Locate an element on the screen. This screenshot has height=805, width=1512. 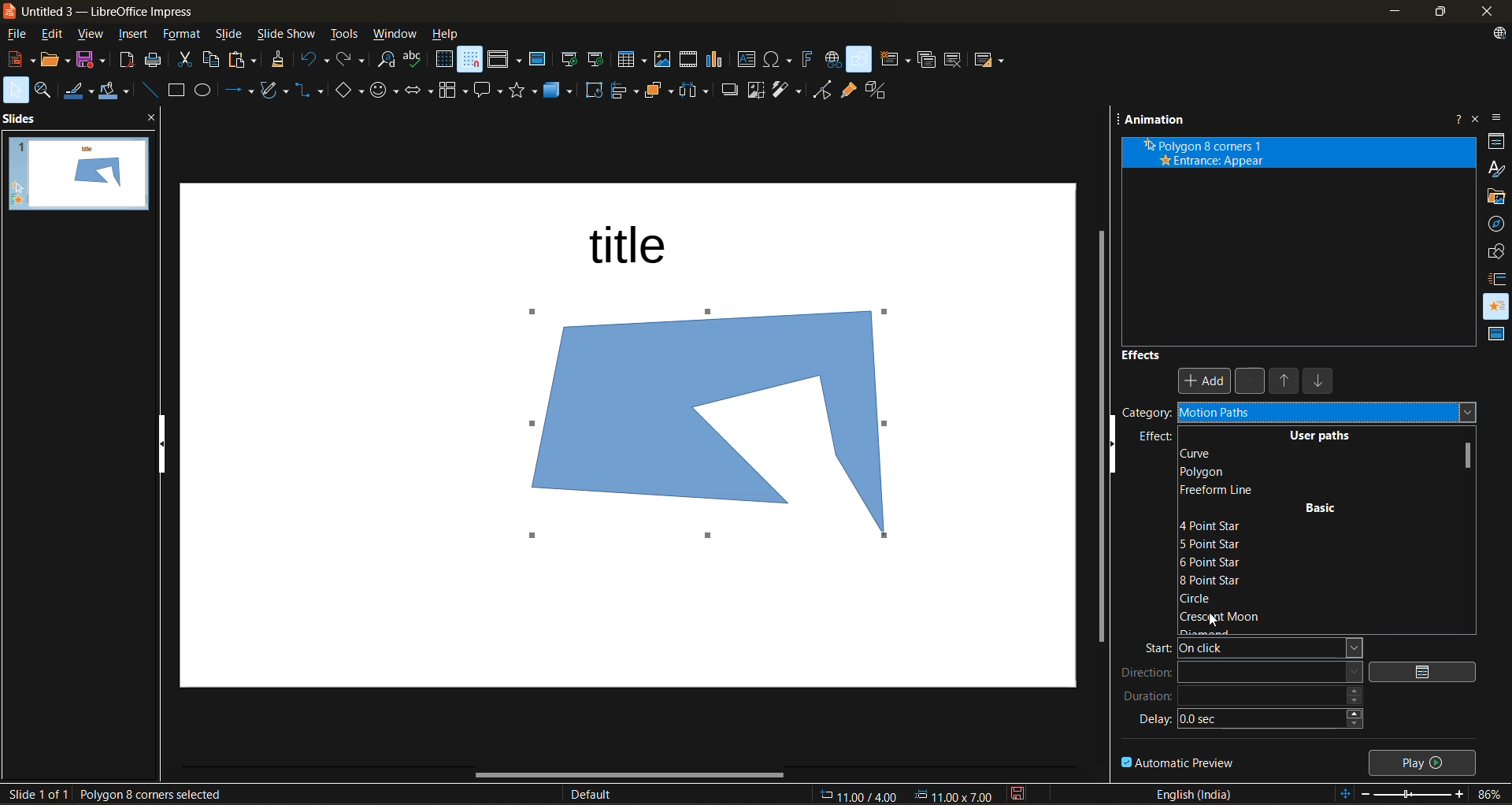
play is located at coordinates (1426, 761).